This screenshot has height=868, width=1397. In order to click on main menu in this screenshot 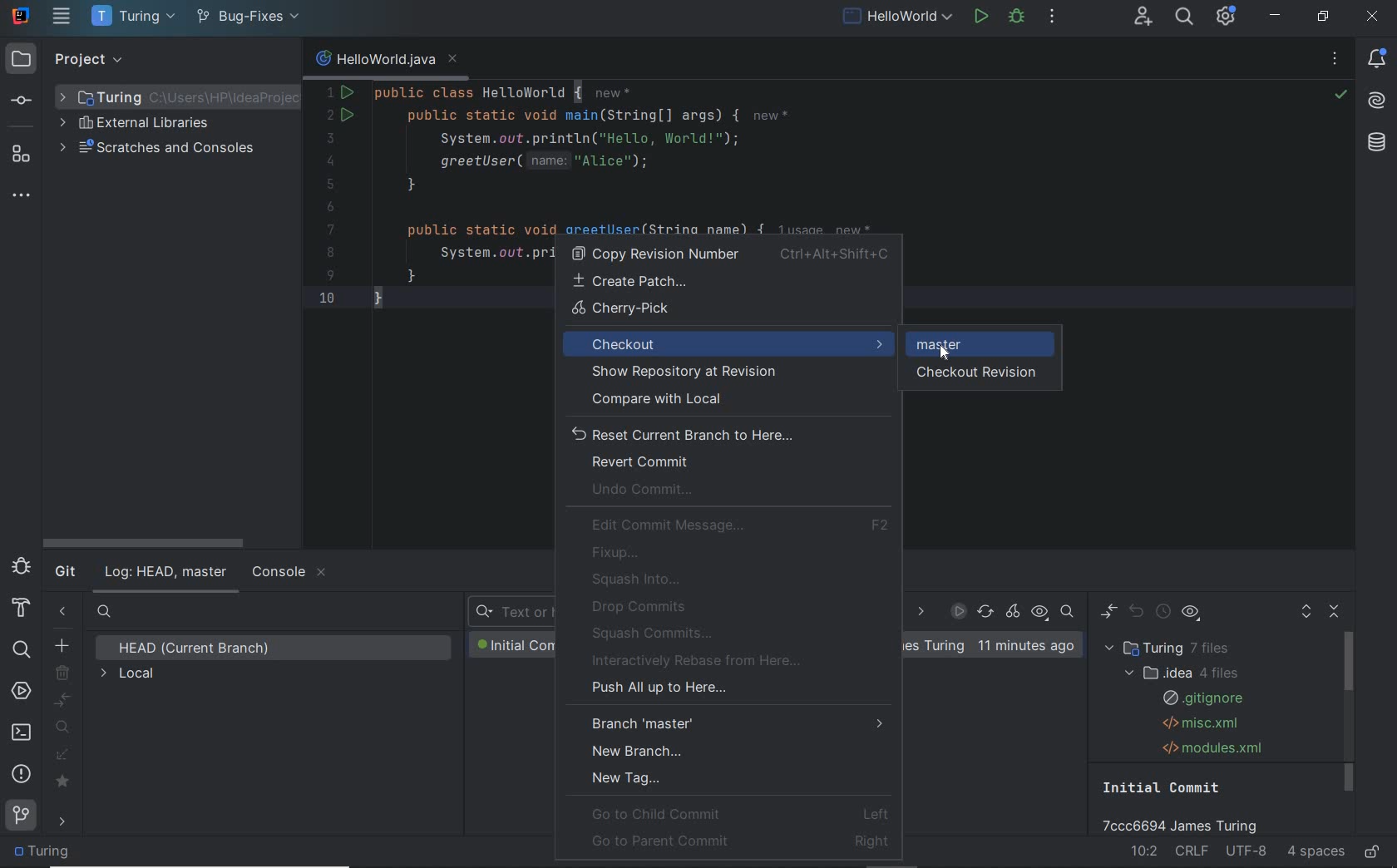, I will do `click(63, 16)`.